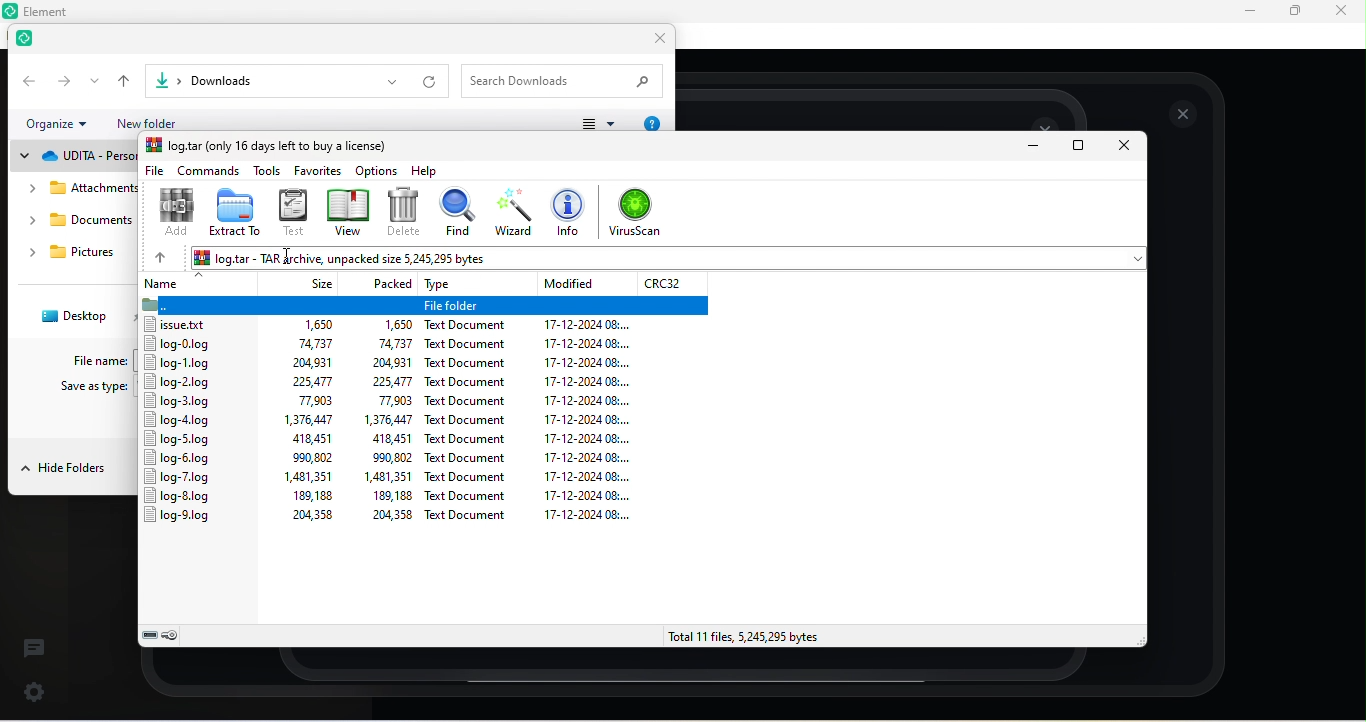 The width and height of the screenshot is (1366, 722). Describe the element at coordinates (466, 494) in the screenshot. I see `Text document` at that location.